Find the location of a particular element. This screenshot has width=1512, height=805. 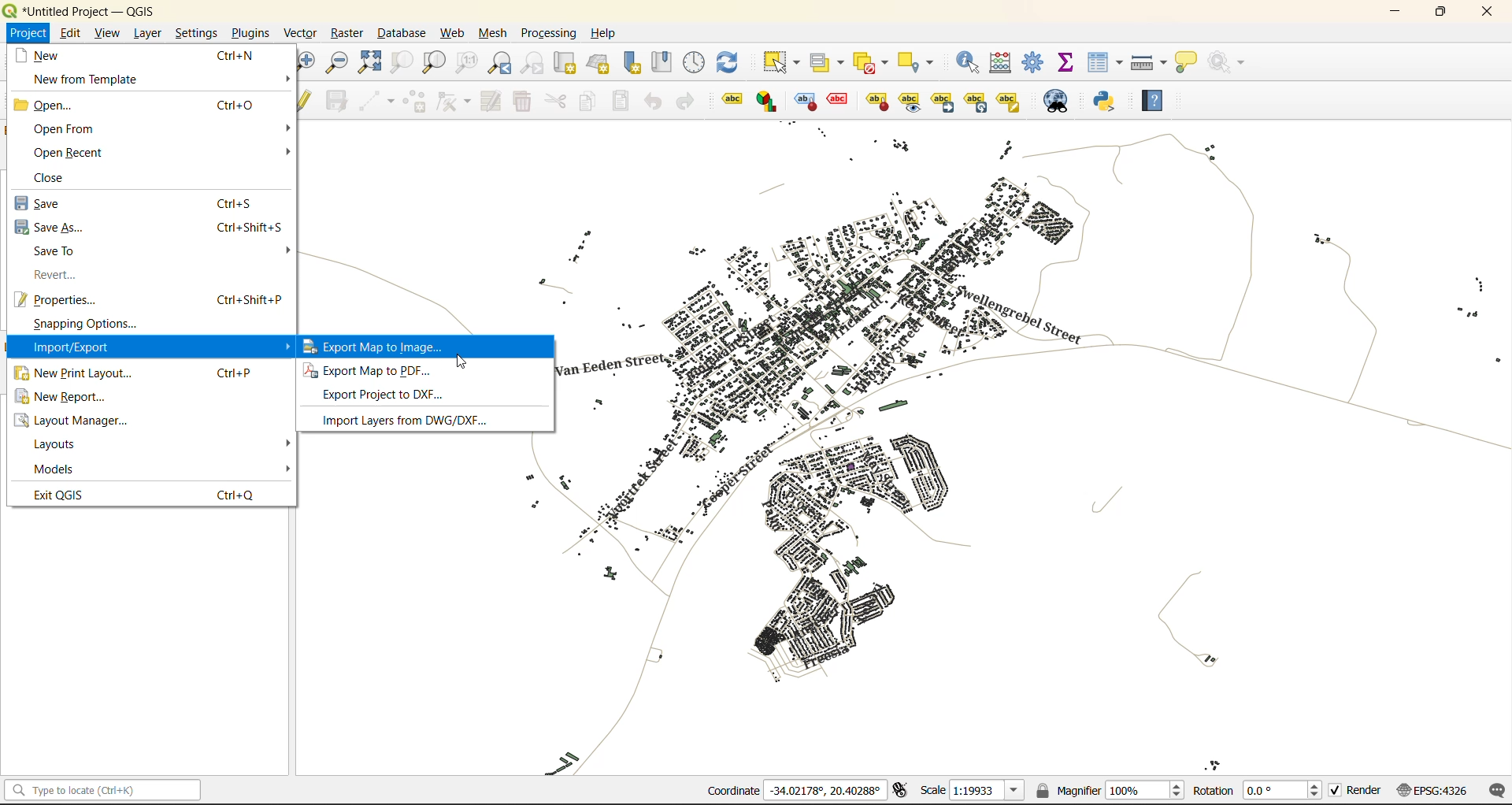

models is located at coordinates (57, 469).